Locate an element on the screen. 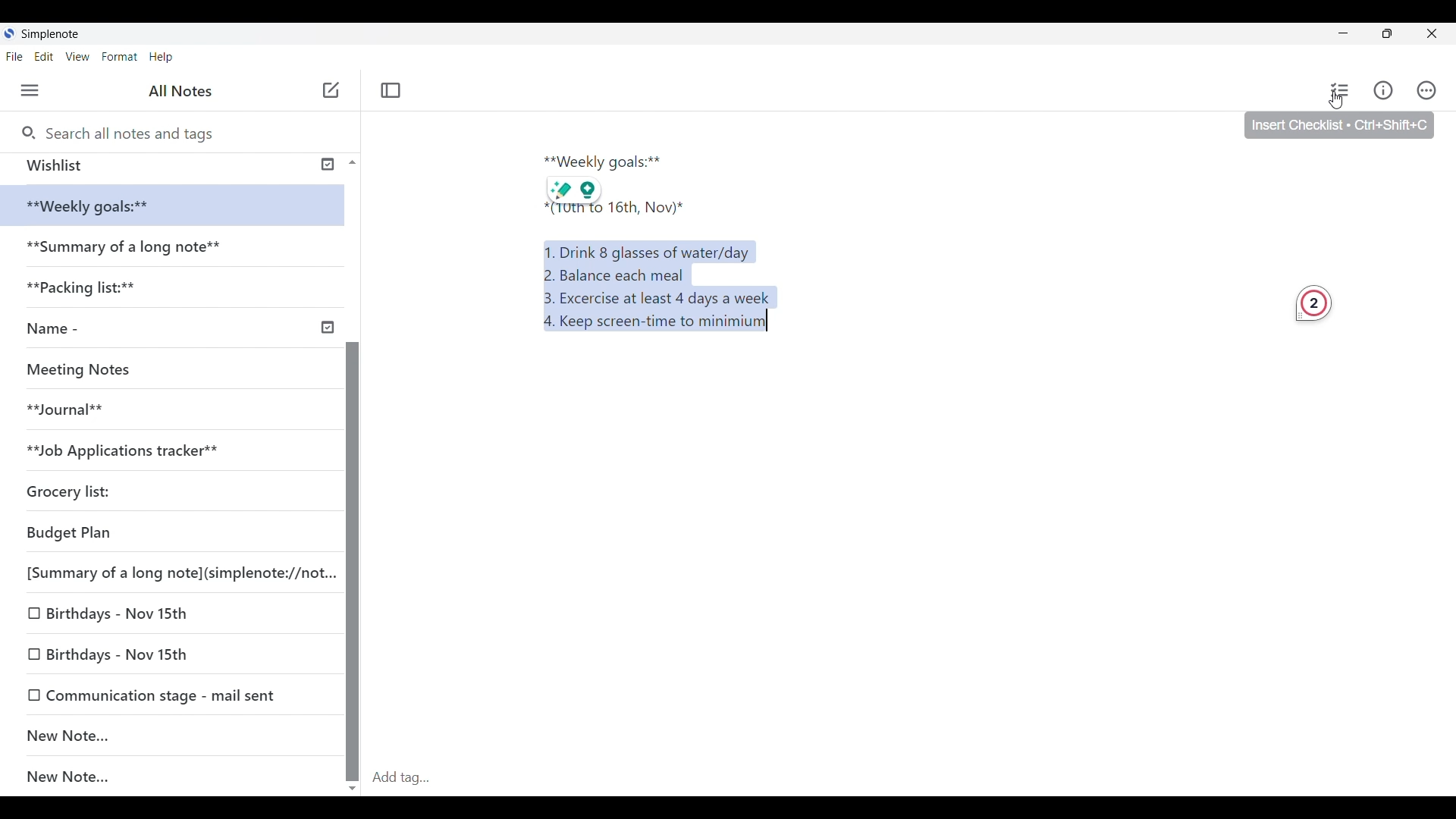 The image size is (1456, 819). Budget Plan is located at coordinates (143, 529).